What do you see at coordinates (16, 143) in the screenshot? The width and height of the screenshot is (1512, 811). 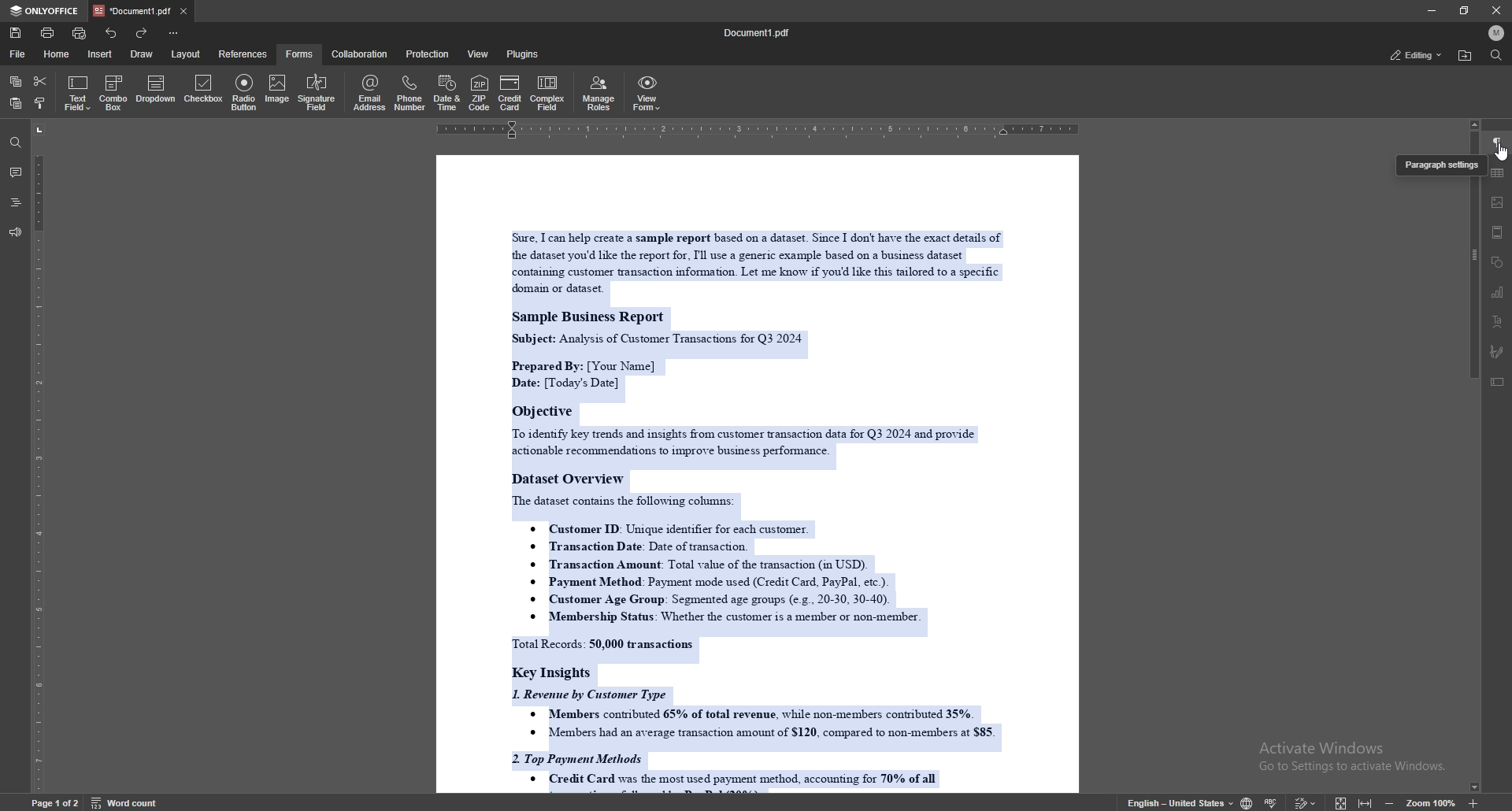 I see `find` at bounding box center [16, 143].